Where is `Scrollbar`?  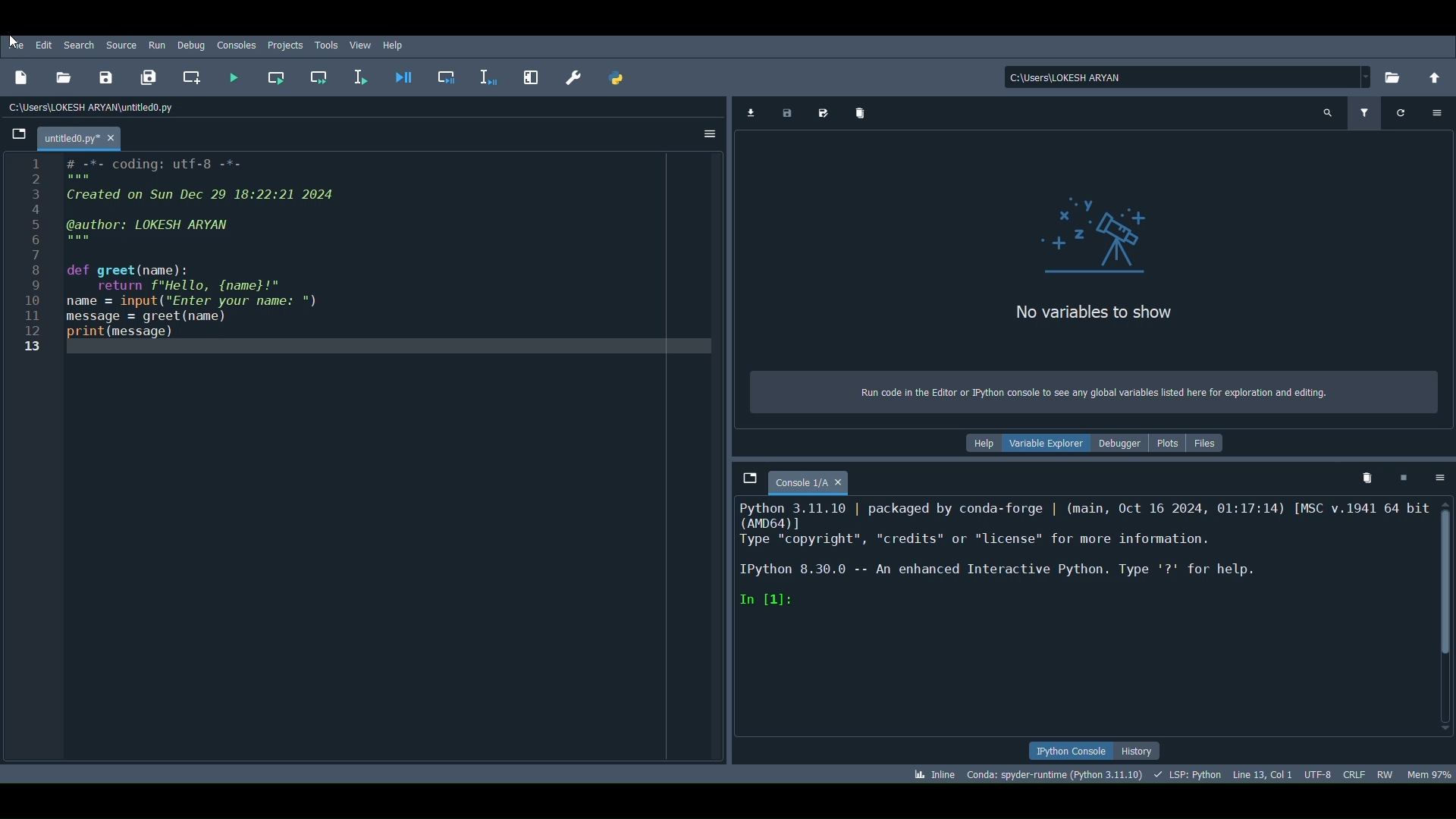
Scrollbar is located at coordinates (1442, 613).